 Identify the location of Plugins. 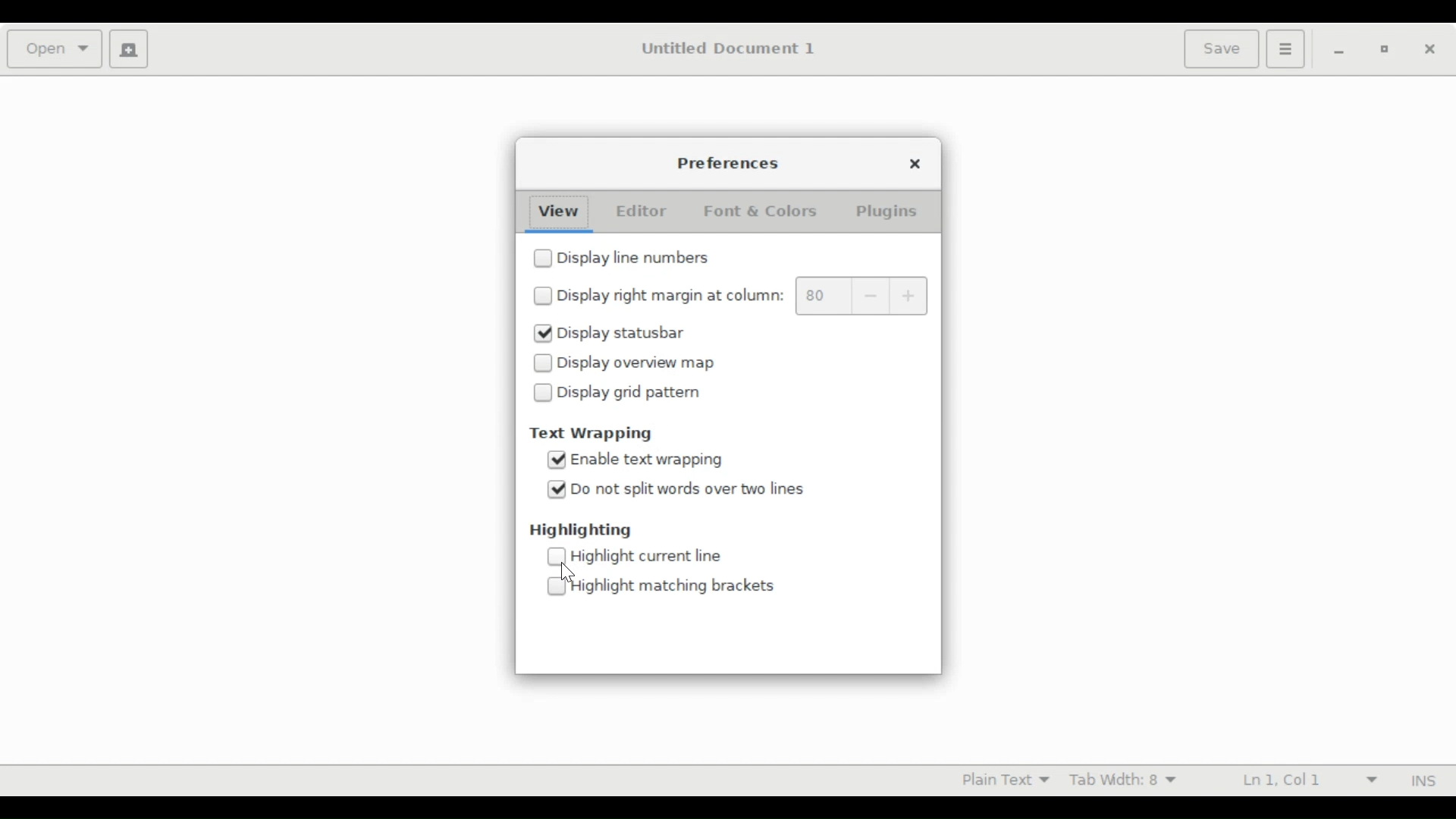
(890, 213).